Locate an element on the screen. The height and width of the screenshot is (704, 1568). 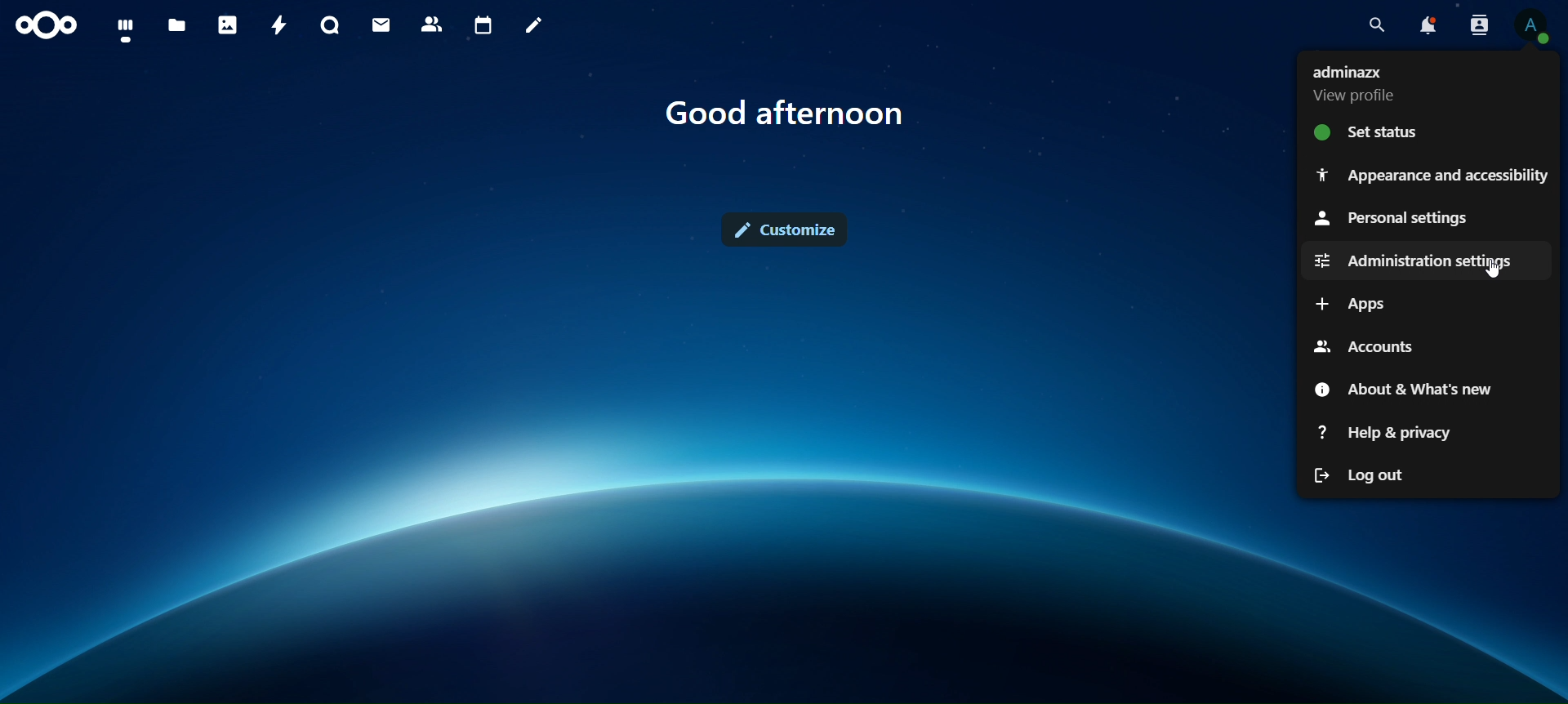
apps is located at coordinates (1359, 303).